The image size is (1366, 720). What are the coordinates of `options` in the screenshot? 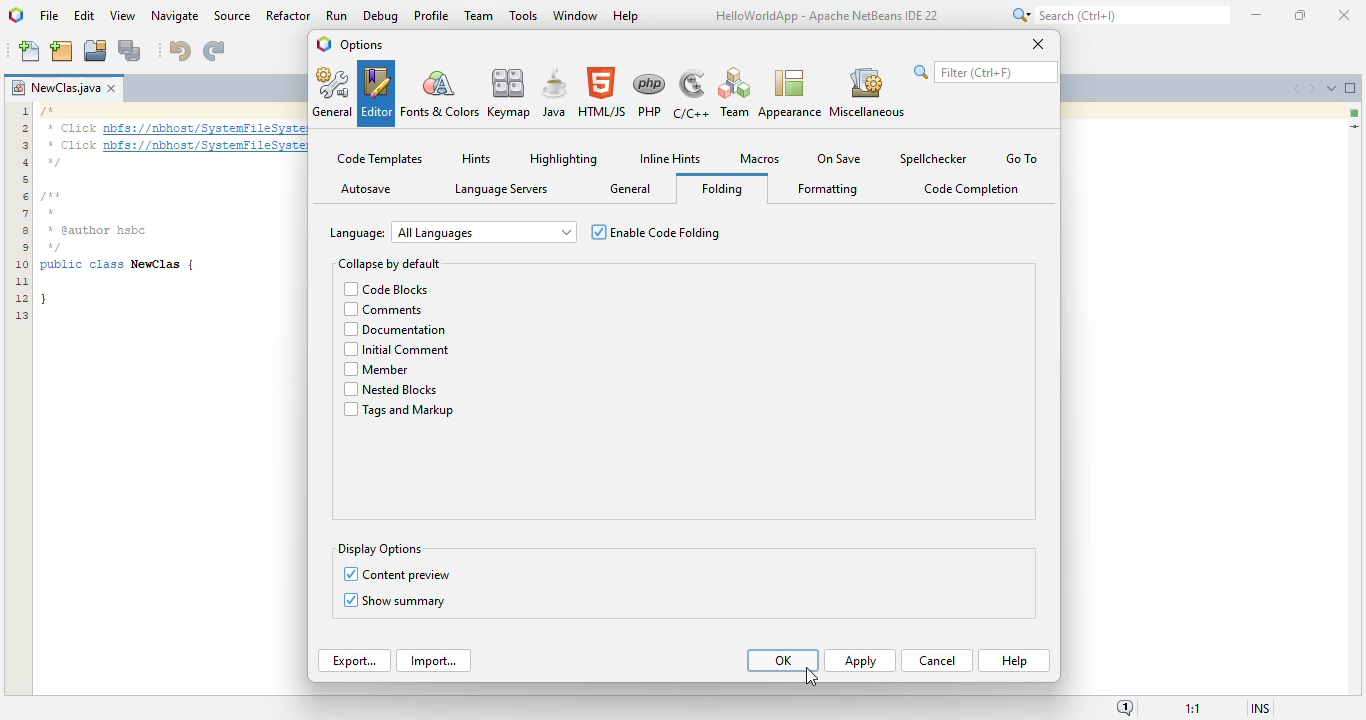 It's located at (362, 45).